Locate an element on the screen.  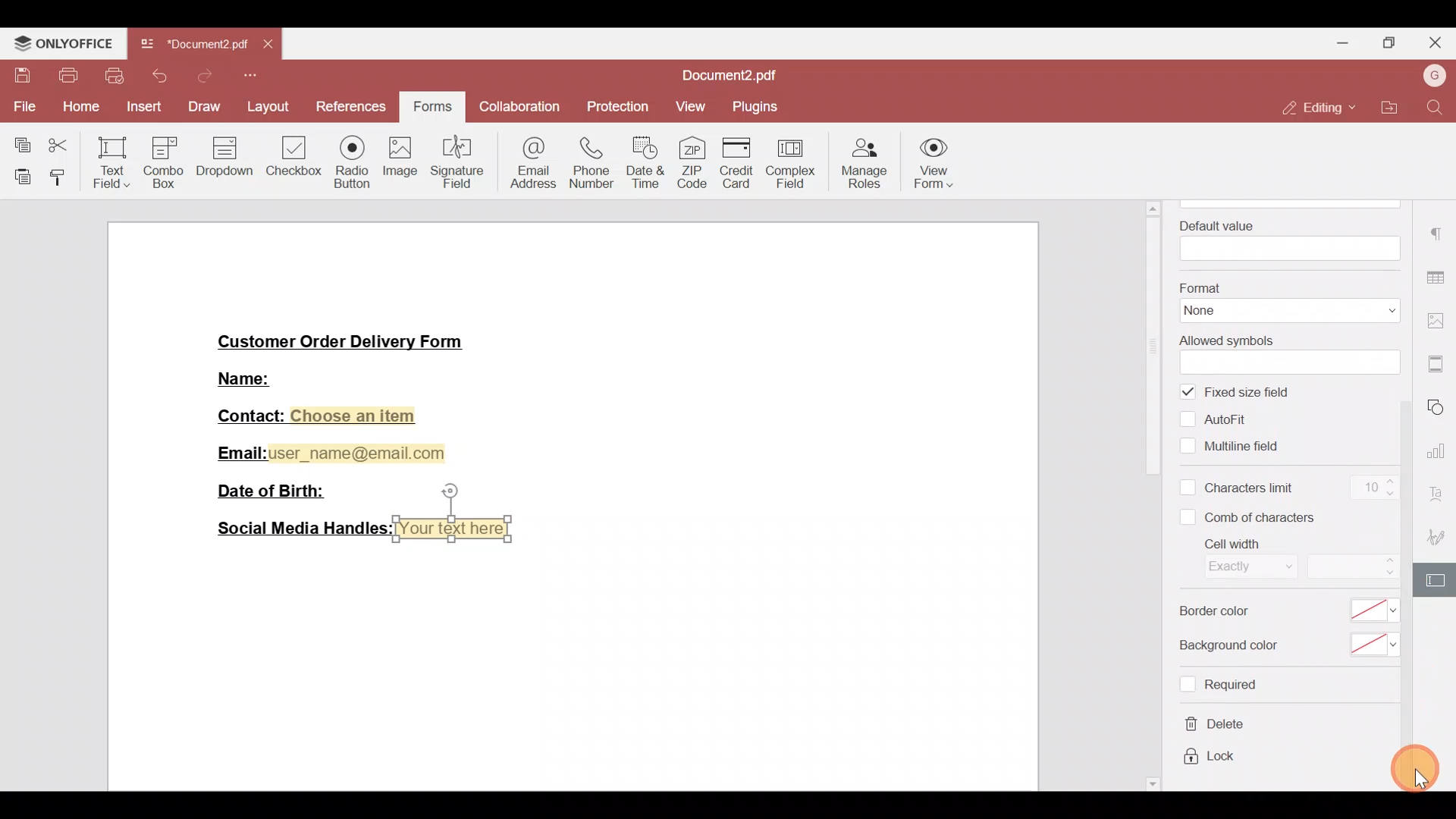
Manage roles is located at coordinates (866, 161).